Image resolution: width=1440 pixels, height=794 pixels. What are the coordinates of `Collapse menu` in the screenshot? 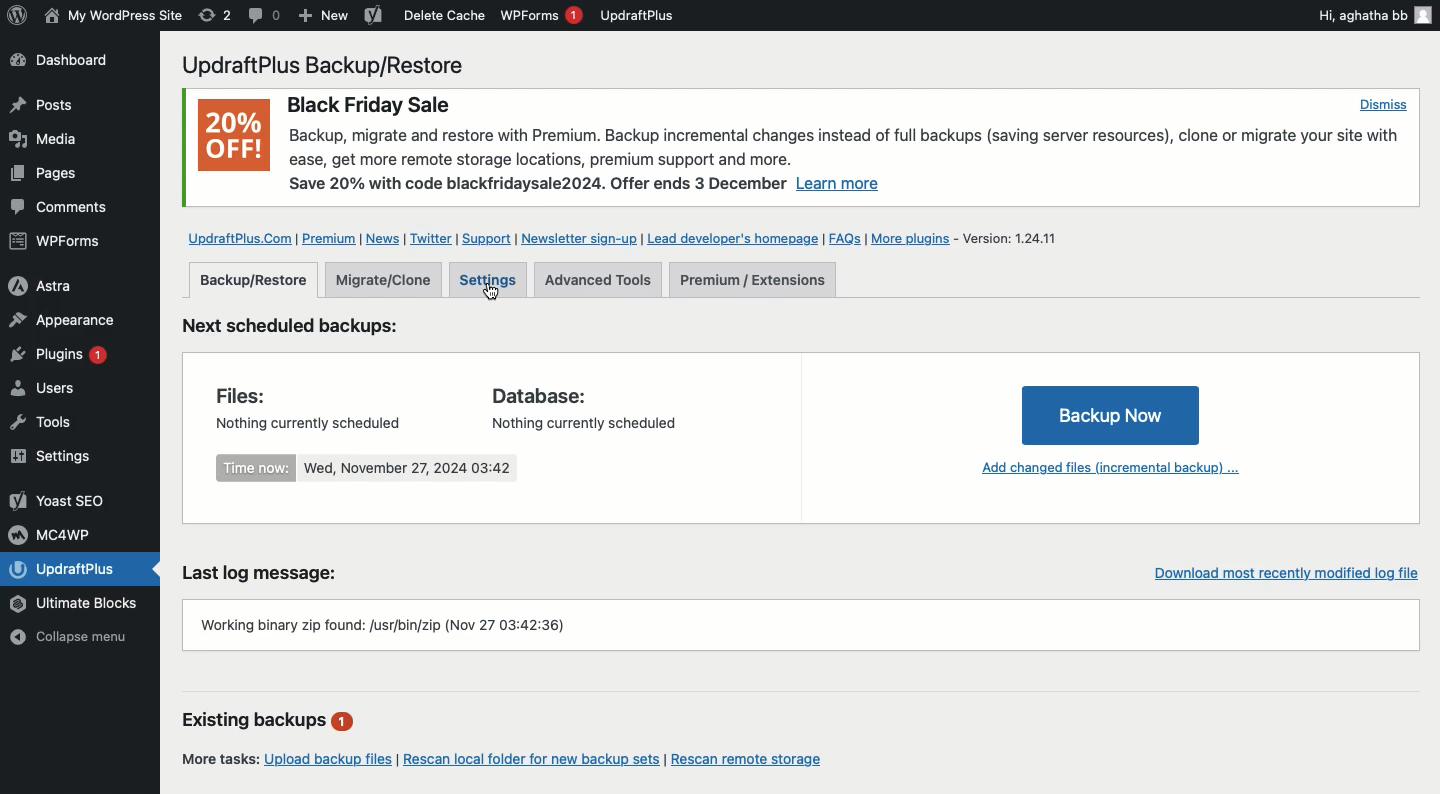 It's located at (73, 635).